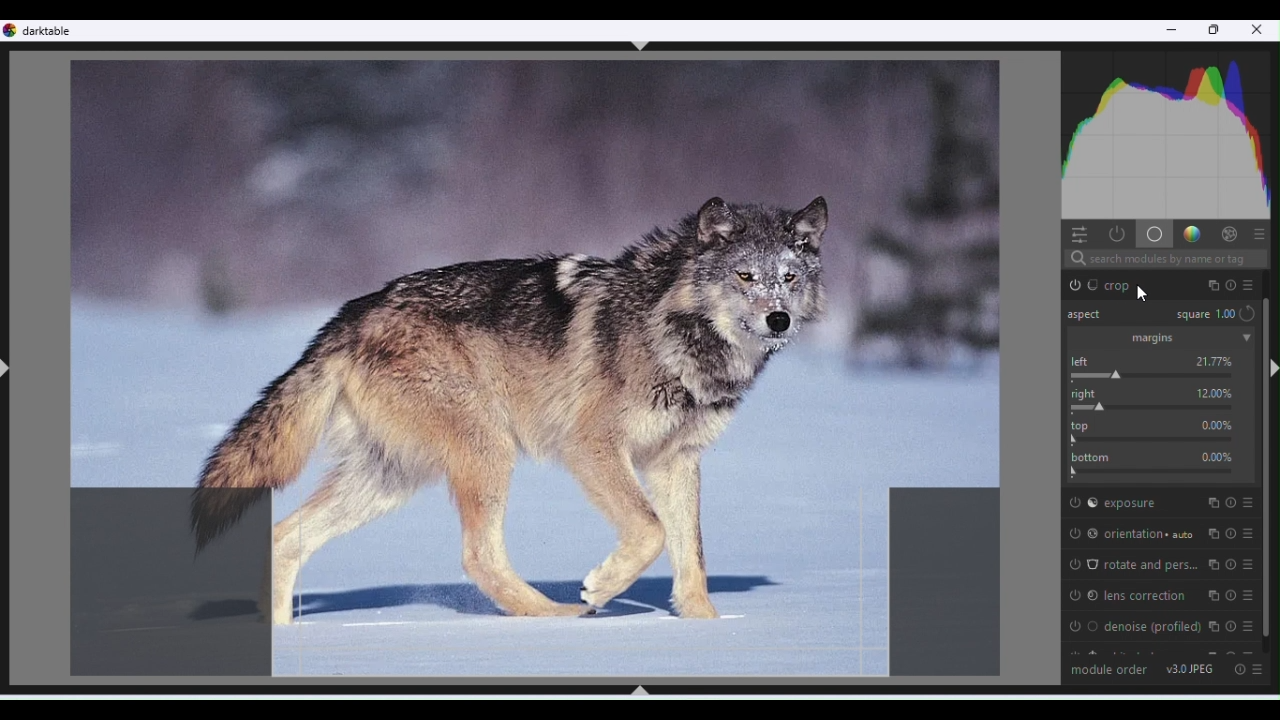 The width and height of the screenshot is (1280, 720). What do you see at coordinates (1161, 470) in the screenshot?
I see `bottom` at bounding box center [1161, 470].